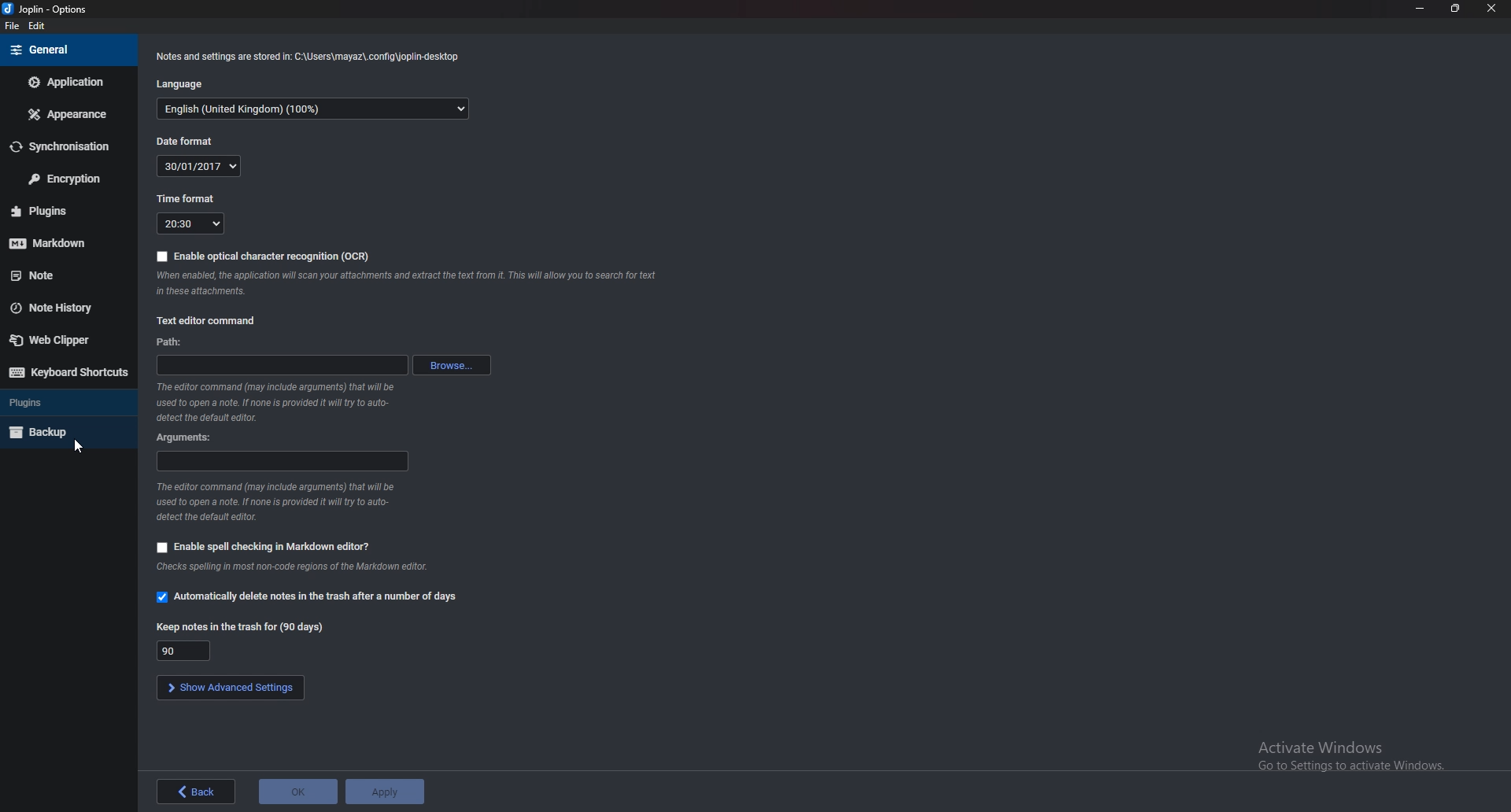  What do you see at coordinates (187, 141) in the screenshot?
I see `Date format` at bounding box center [187, 141].